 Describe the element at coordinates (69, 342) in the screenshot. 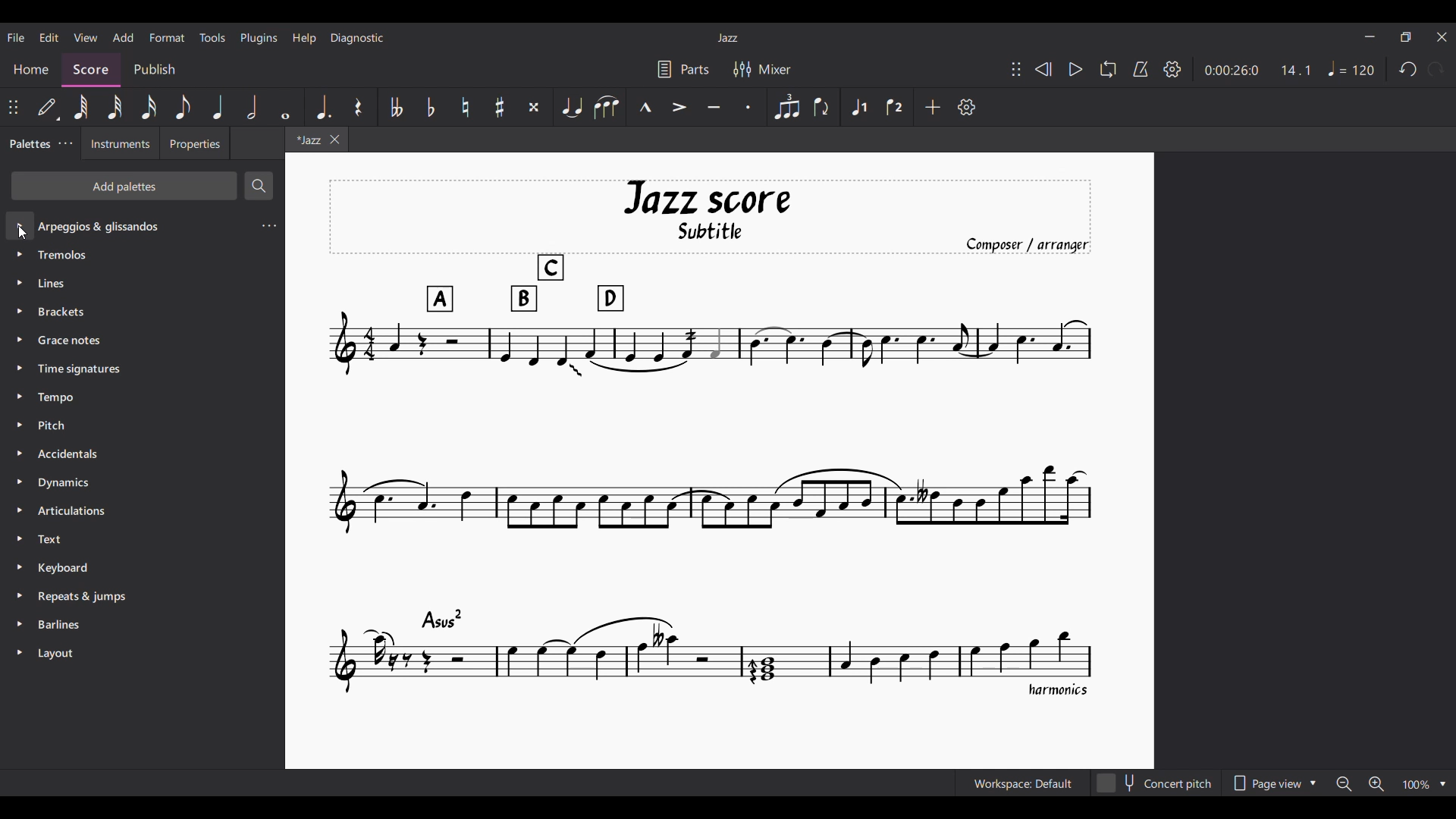

I see `Grace Notes` at that location.